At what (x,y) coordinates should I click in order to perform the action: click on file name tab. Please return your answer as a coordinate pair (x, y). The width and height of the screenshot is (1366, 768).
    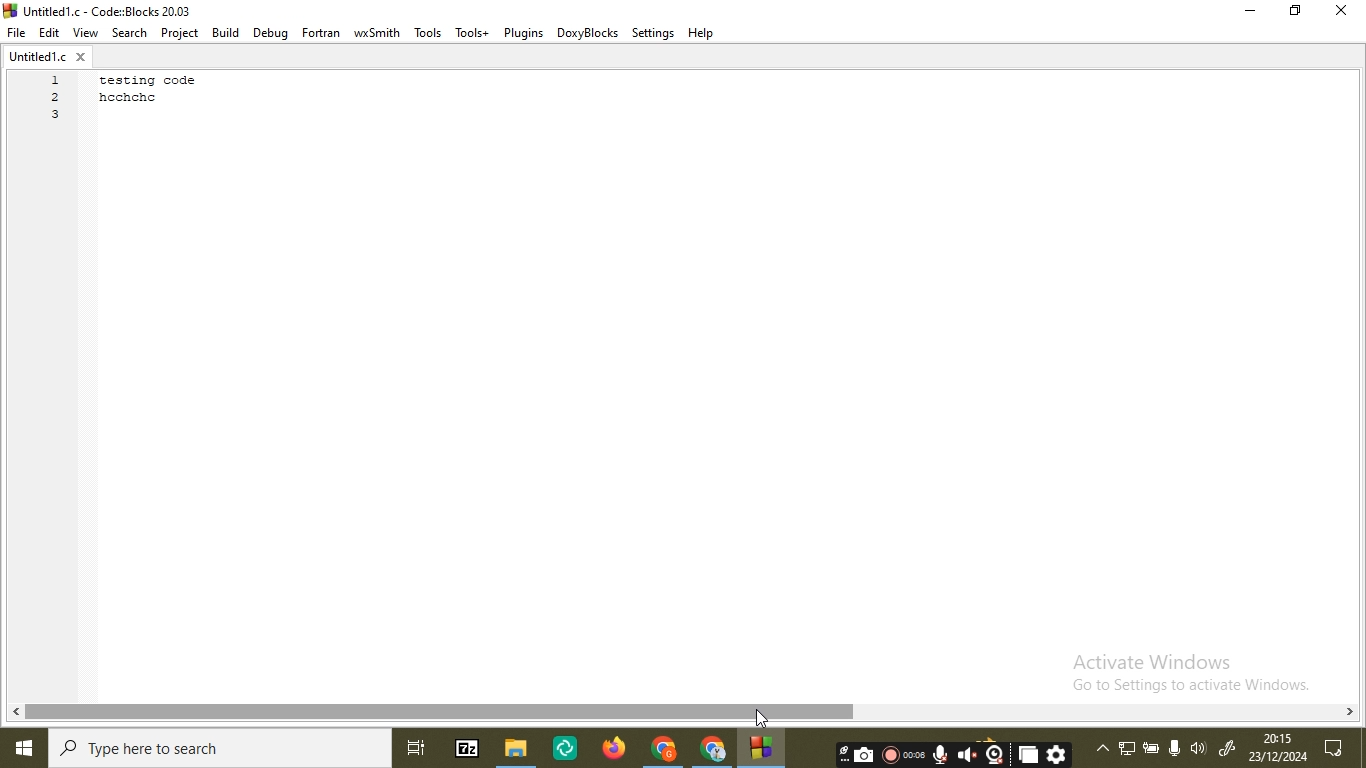
    Looking at the image, I should click on (51, 58).